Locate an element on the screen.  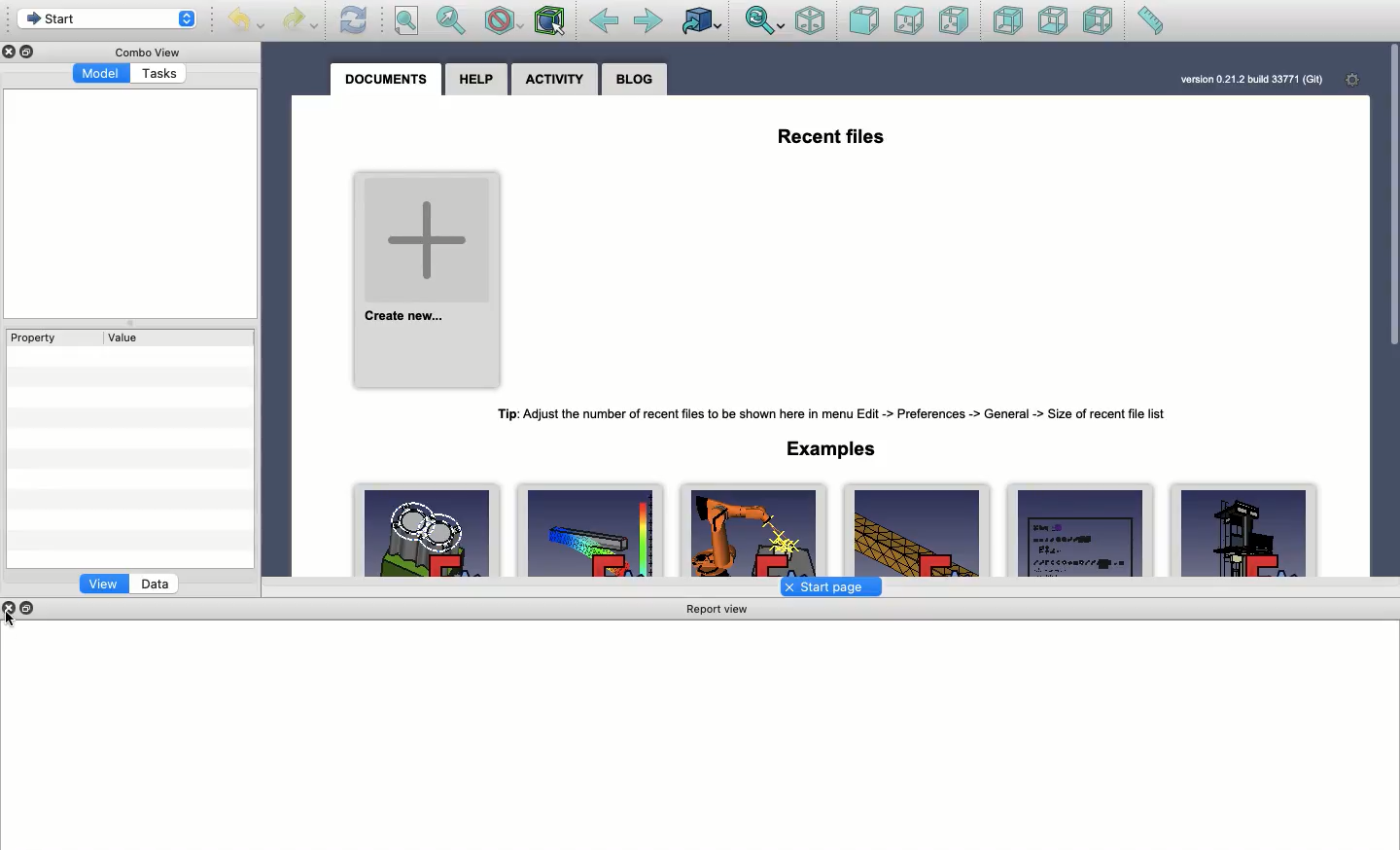
Scroll is located at coordinates (1391, 205).